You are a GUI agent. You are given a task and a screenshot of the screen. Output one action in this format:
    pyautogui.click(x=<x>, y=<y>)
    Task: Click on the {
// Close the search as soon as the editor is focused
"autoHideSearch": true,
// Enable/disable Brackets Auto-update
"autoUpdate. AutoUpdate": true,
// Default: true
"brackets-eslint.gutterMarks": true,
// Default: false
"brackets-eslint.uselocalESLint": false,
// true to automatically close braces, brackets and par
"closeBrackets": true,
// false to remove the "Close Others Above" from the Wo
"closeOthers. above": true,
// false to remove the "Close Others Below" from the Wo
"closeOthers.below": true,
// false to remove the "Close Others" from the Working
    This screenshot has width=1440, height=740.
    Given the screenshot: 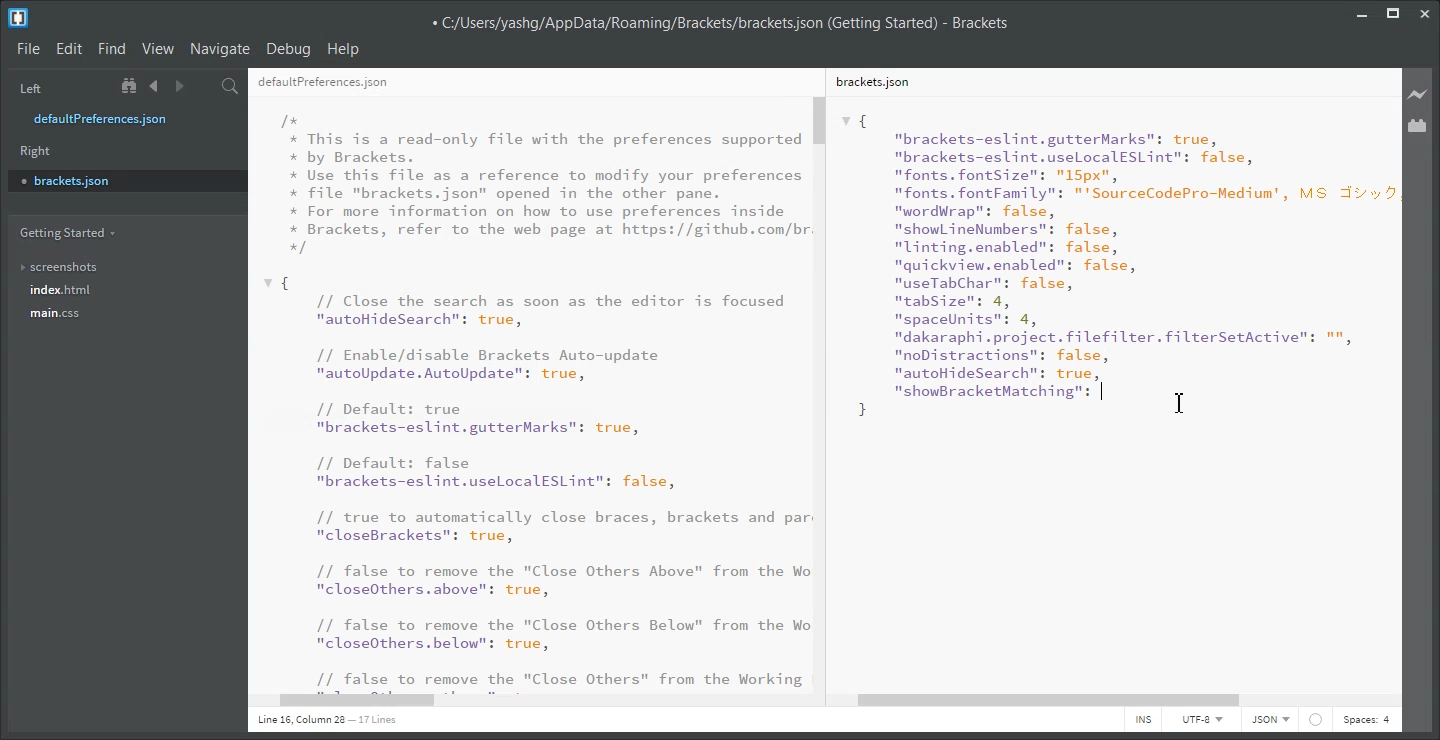 What is the action you would take?
    pyautogui.click(x=536, y=482)
    